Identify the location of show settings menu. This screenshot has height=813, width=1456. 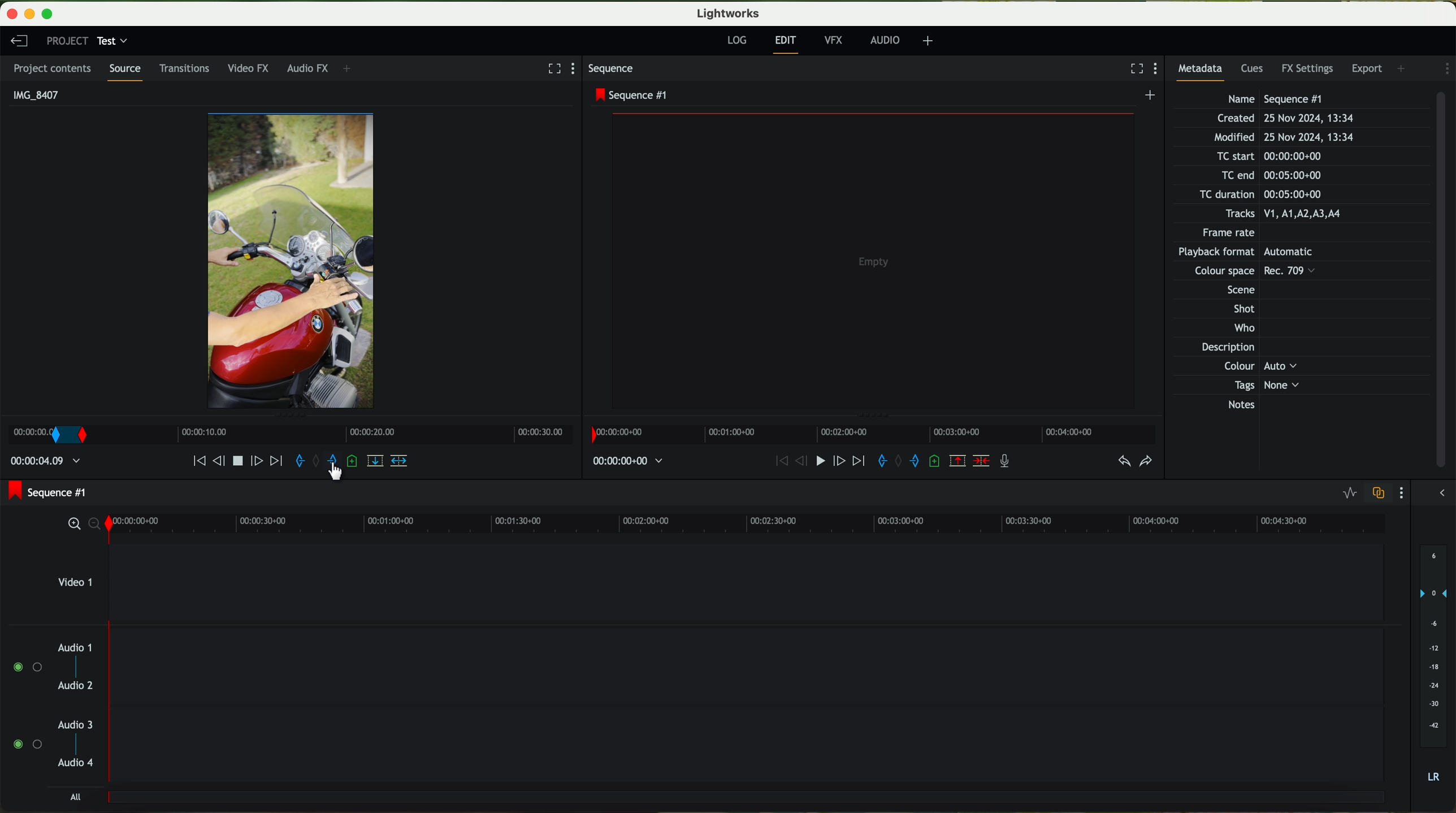
(1445, 68).